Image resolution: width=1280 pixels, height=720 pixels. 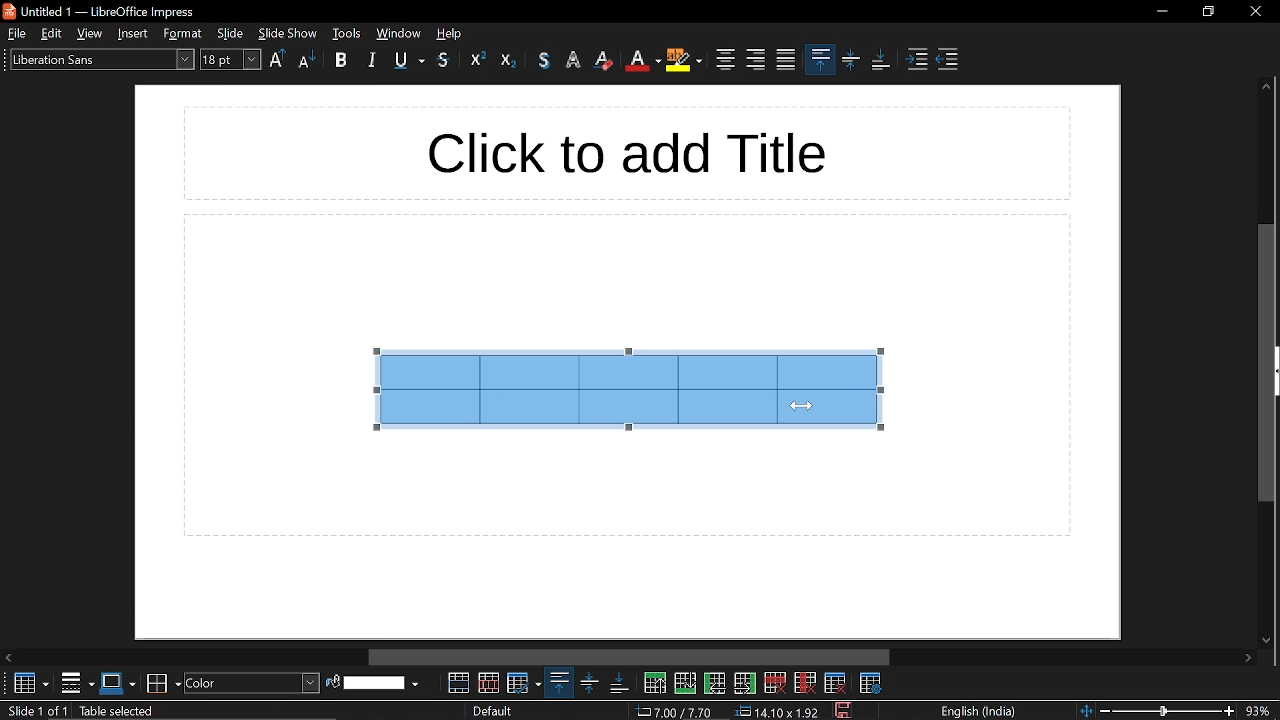 I want to click on text style, so click(x=102, y=58).